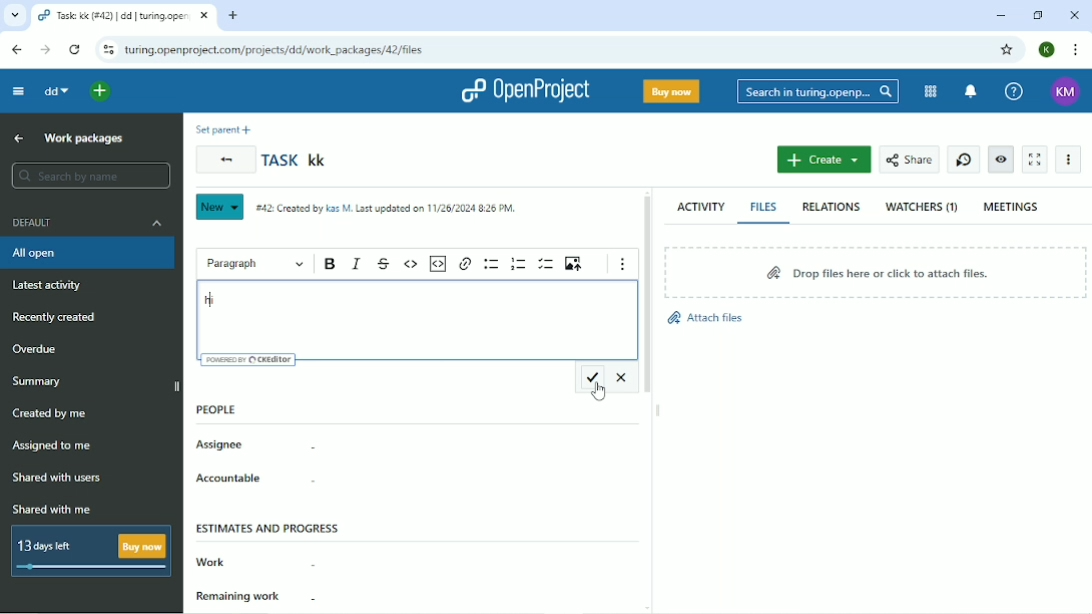 This screenshot has height=614, width=1092. Describe the element at coordinates (53, 413) in the screenshot. I see `Created by me` at that location.